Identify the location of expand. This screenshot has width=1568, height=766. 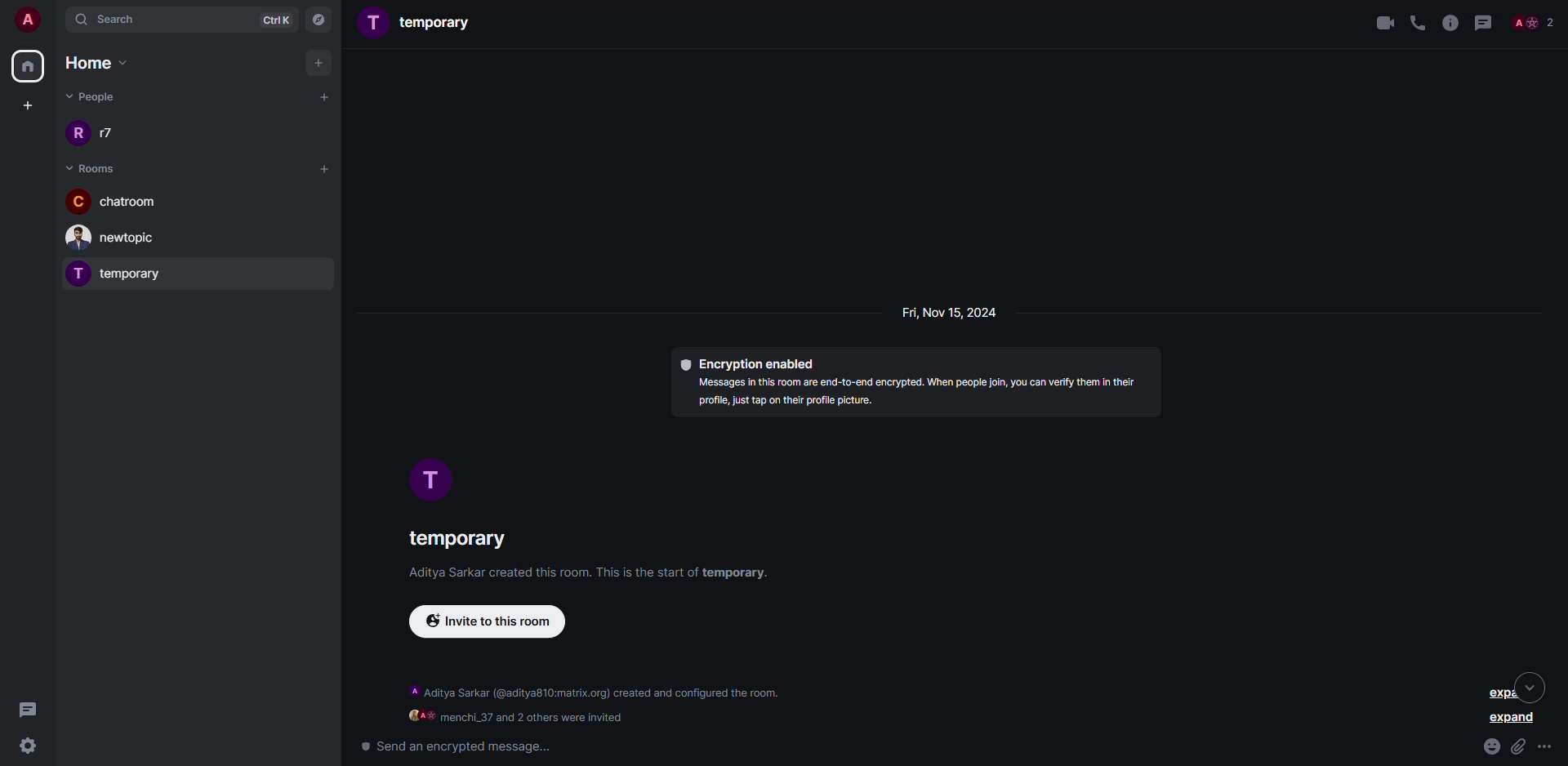
(1507, 688).